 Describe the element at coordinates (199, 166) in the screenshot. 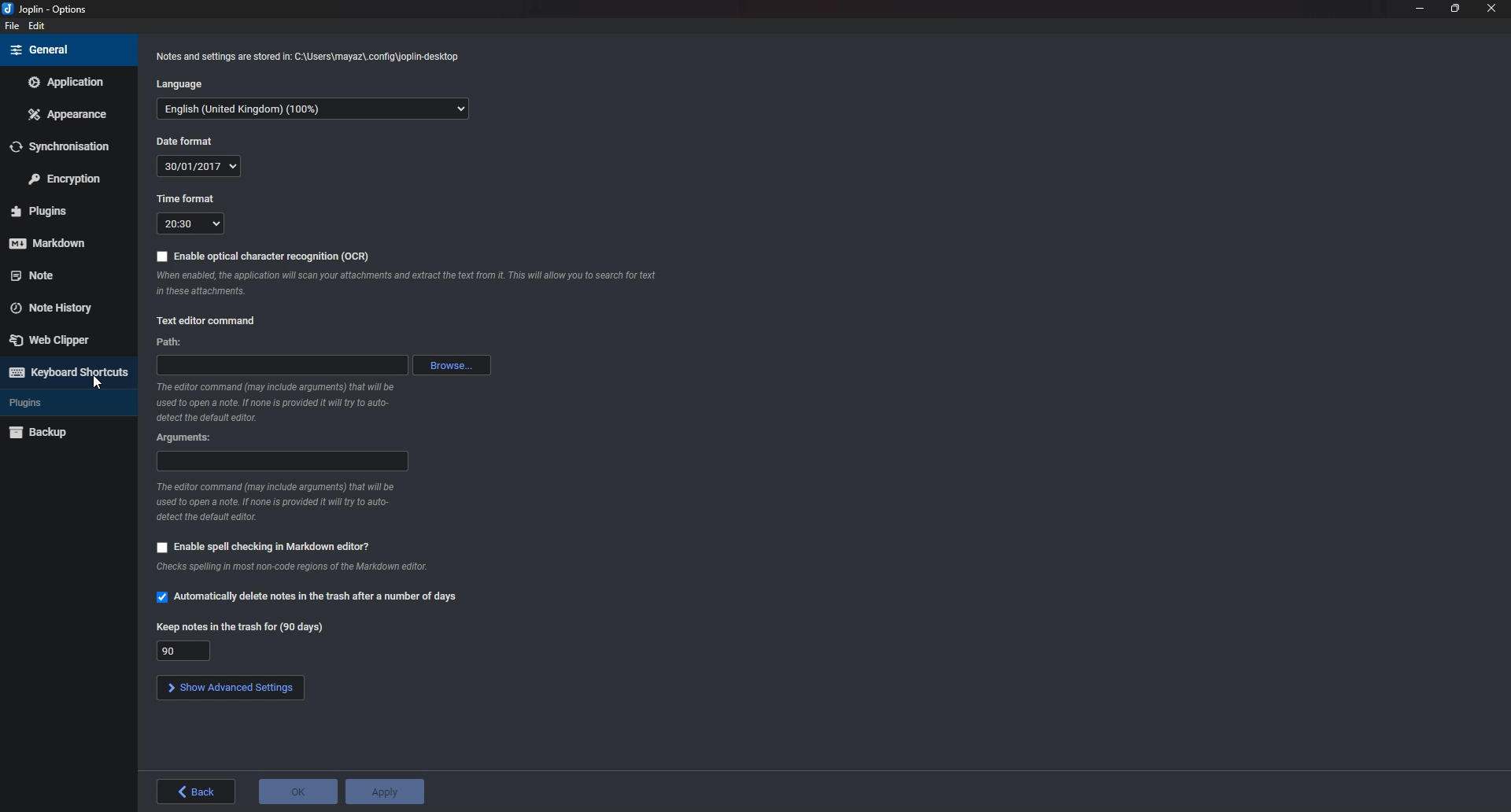

I see `Date format` at that location.